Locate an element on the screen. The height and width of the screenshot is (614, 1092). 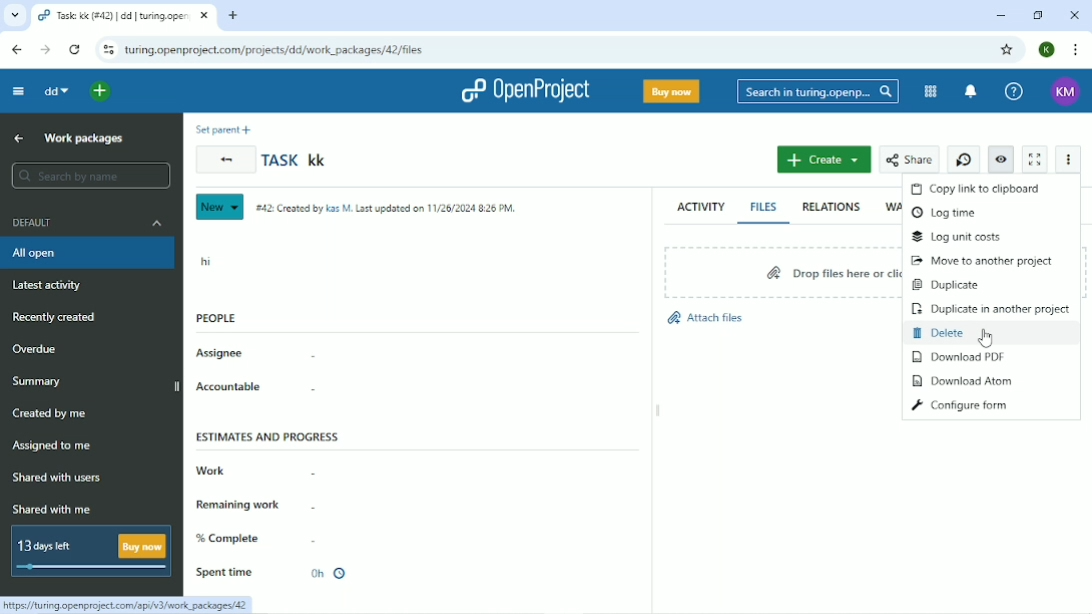
Search tabs is located at coordinates (15, 15).